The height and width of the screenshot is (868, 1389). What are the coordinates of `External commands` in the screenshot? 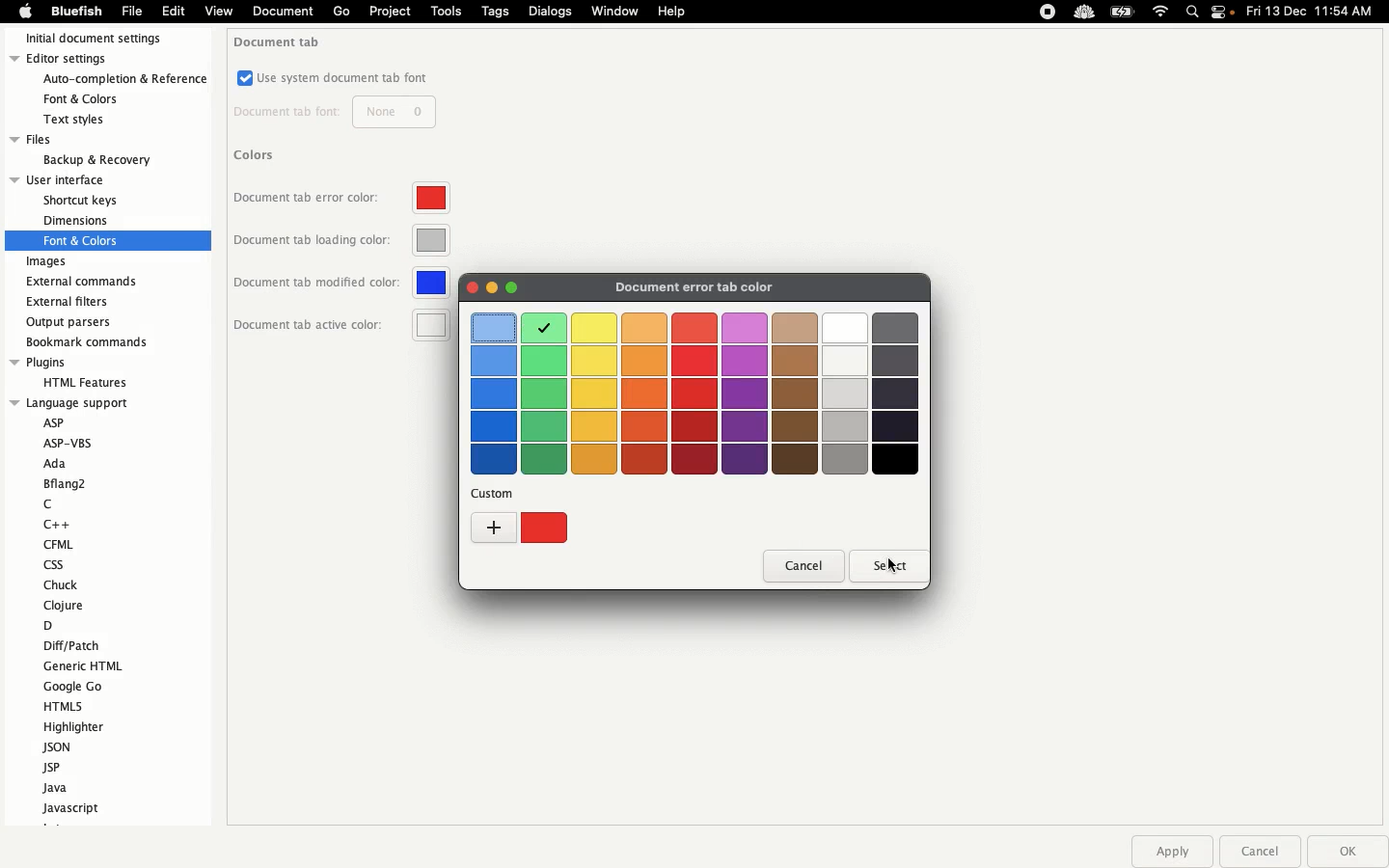 It's located at (82, 282).